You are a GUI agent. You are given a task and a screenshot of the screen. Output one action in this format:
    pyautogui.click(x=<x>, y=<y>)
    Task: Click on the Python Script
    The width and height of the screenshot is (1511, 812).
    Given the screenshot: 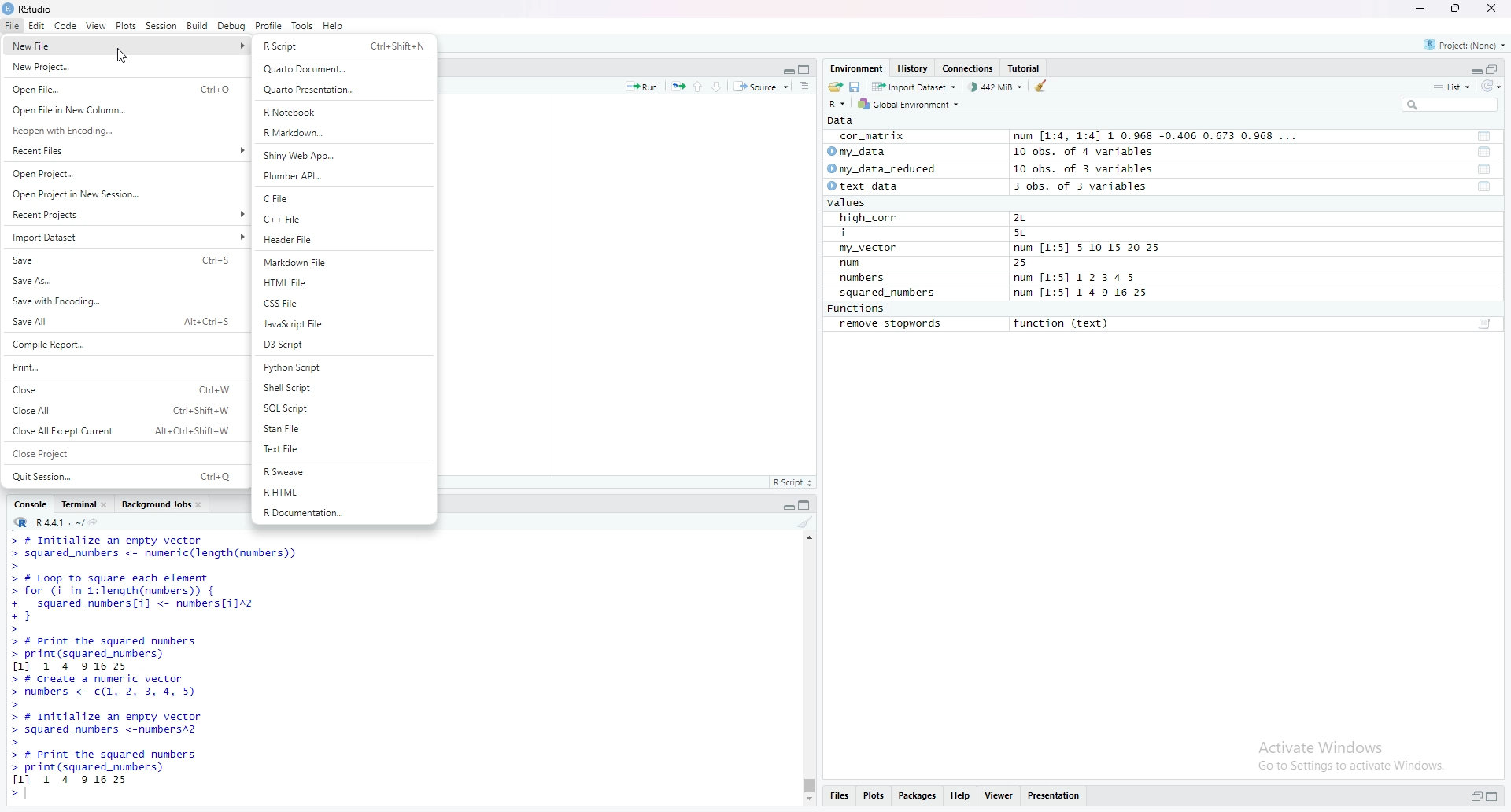 What is the action you would take?
    pyautogui.click(x=342, y=367)
    